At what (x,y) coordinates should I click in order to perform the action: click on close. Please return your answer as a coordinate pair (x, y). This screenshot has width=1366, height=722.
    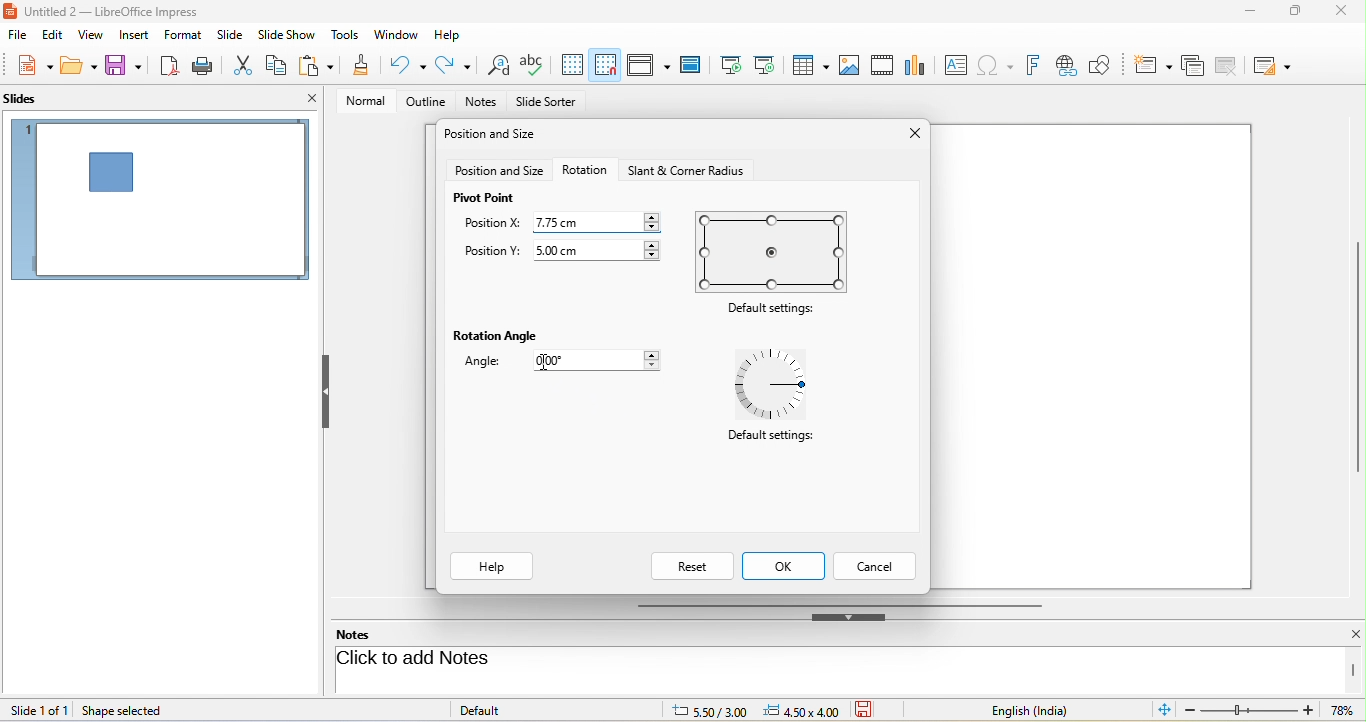
    Looking at the image, I should click on (911, 135).